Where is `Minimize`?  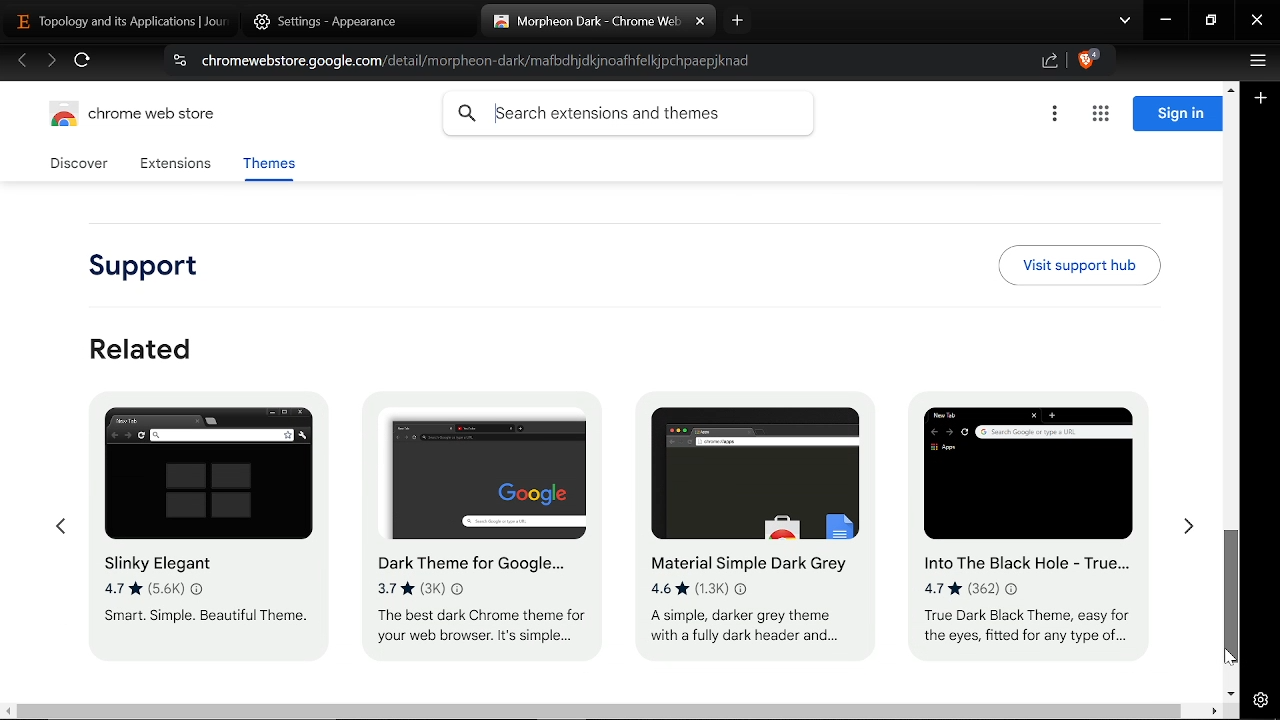
Minimize is located at coordinates (1166, 22).